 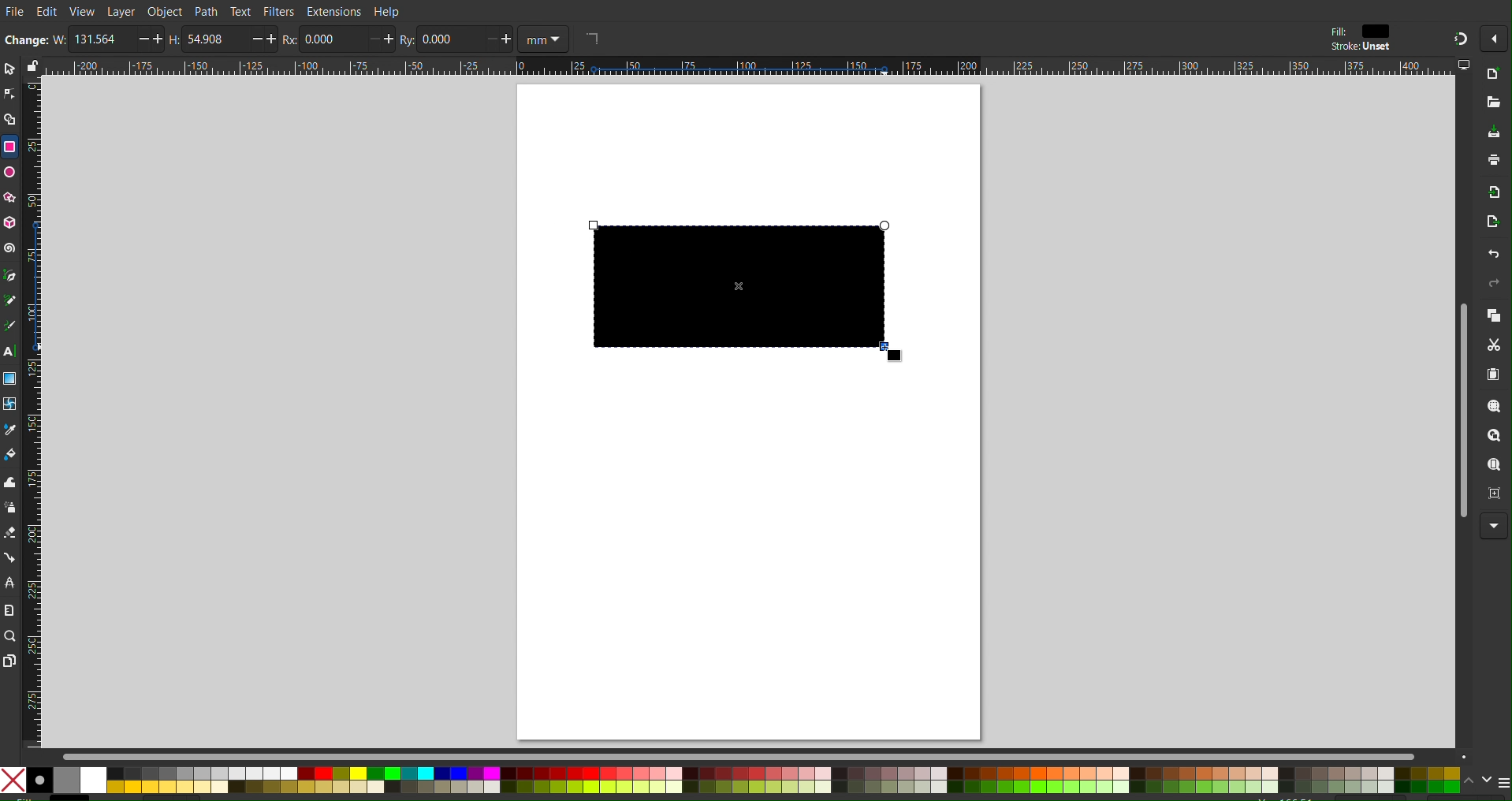 I want to click on Text, so click(x=240, y=12).